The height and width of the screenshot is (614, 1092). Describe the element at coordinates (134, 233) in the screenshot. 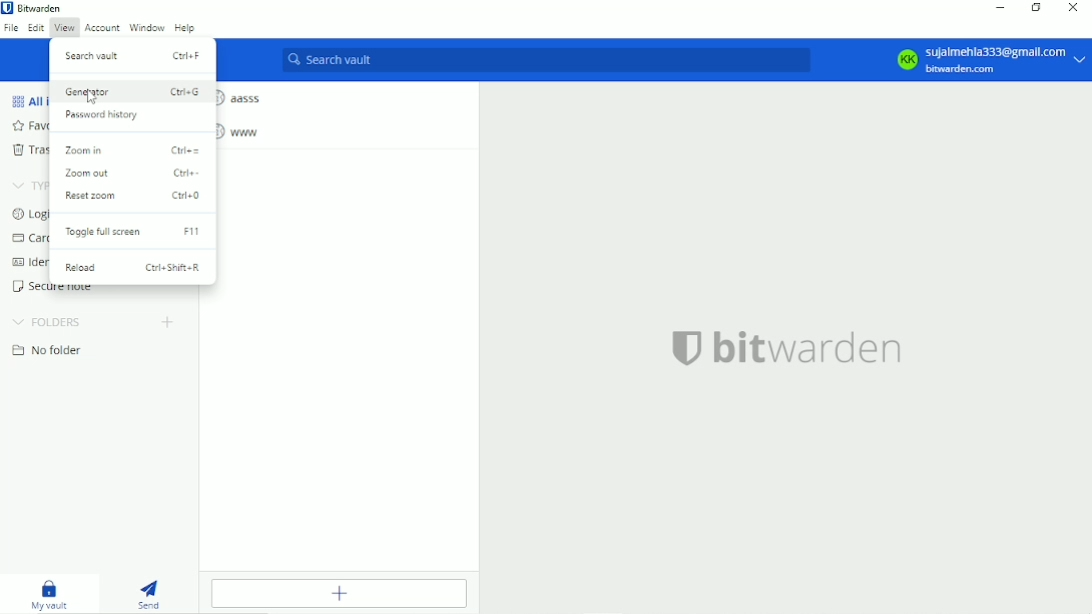

I see `Toggle full screen` at that location.